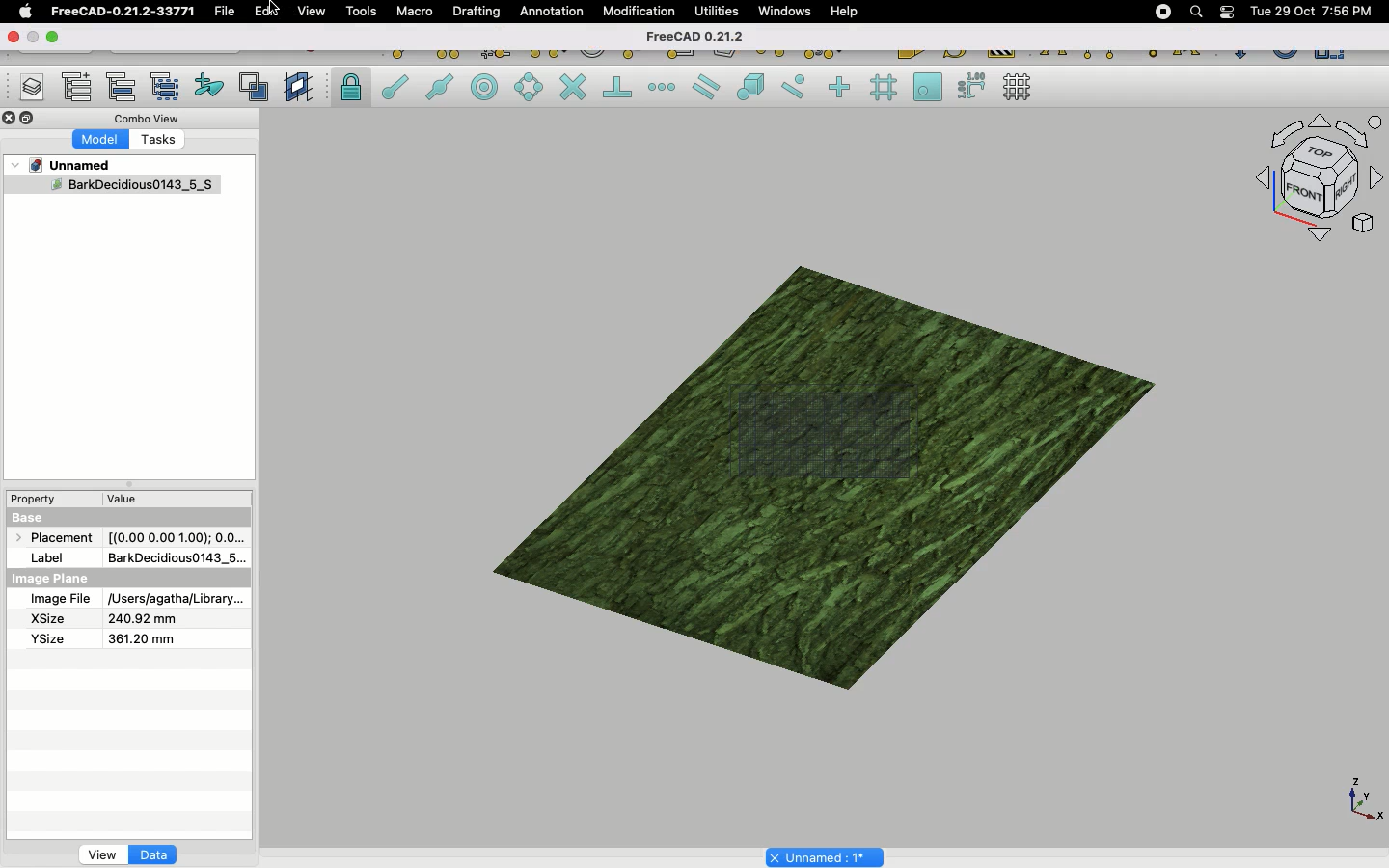 The image size is (1389, 868). What do you see at coordinates (270, 13) in the screenshot?
I see `Selecting edit` at bounding box center [270, 13].